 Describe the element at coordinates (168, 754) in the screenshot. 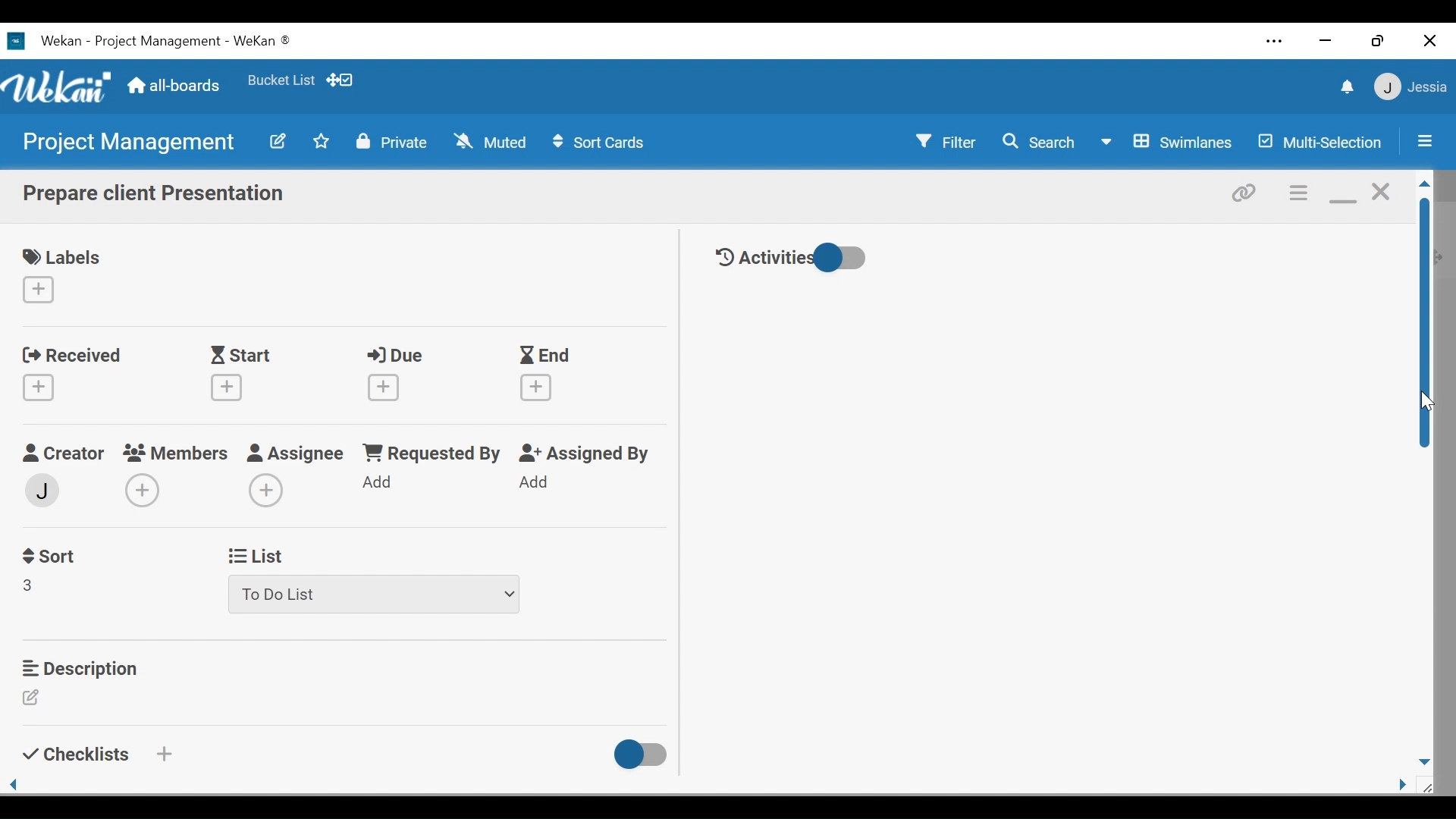

I see `Create a checklist` at that location.